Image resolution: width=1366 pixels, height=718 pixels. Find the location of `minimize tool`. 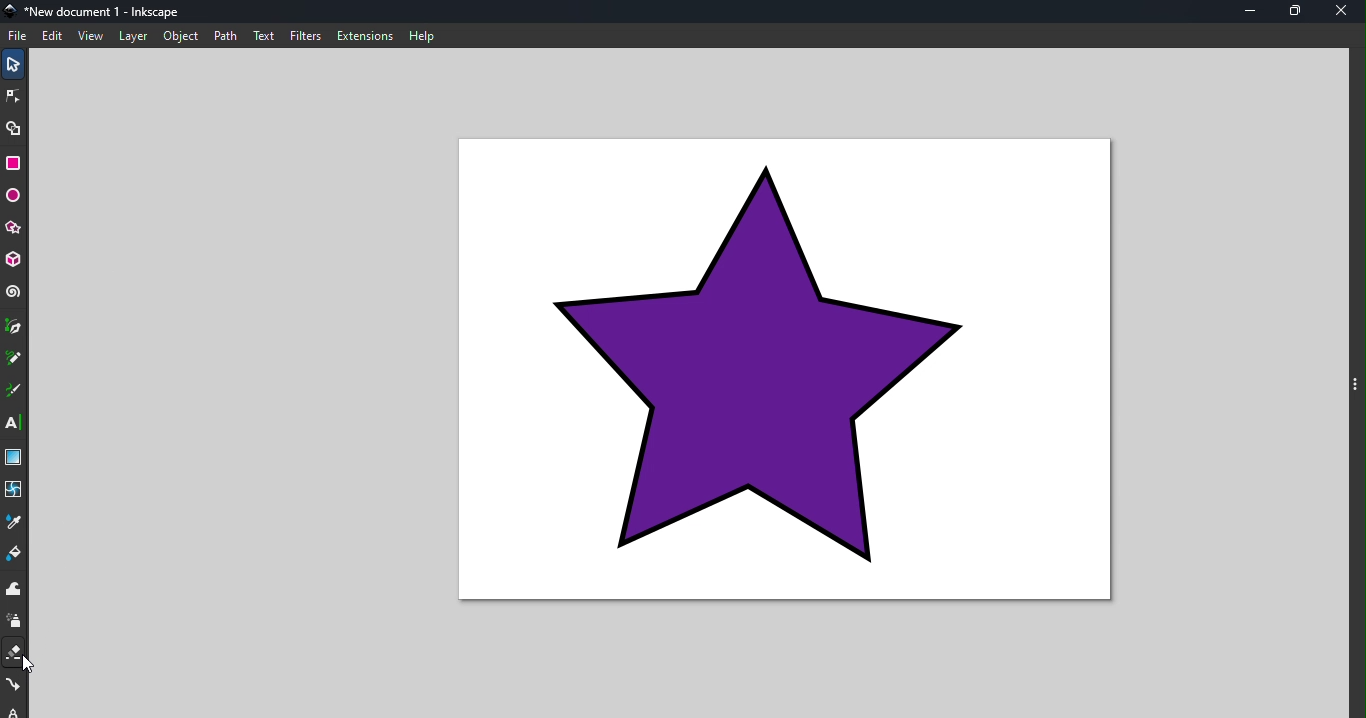

minimize tool is located at coordinates (1249, 11).